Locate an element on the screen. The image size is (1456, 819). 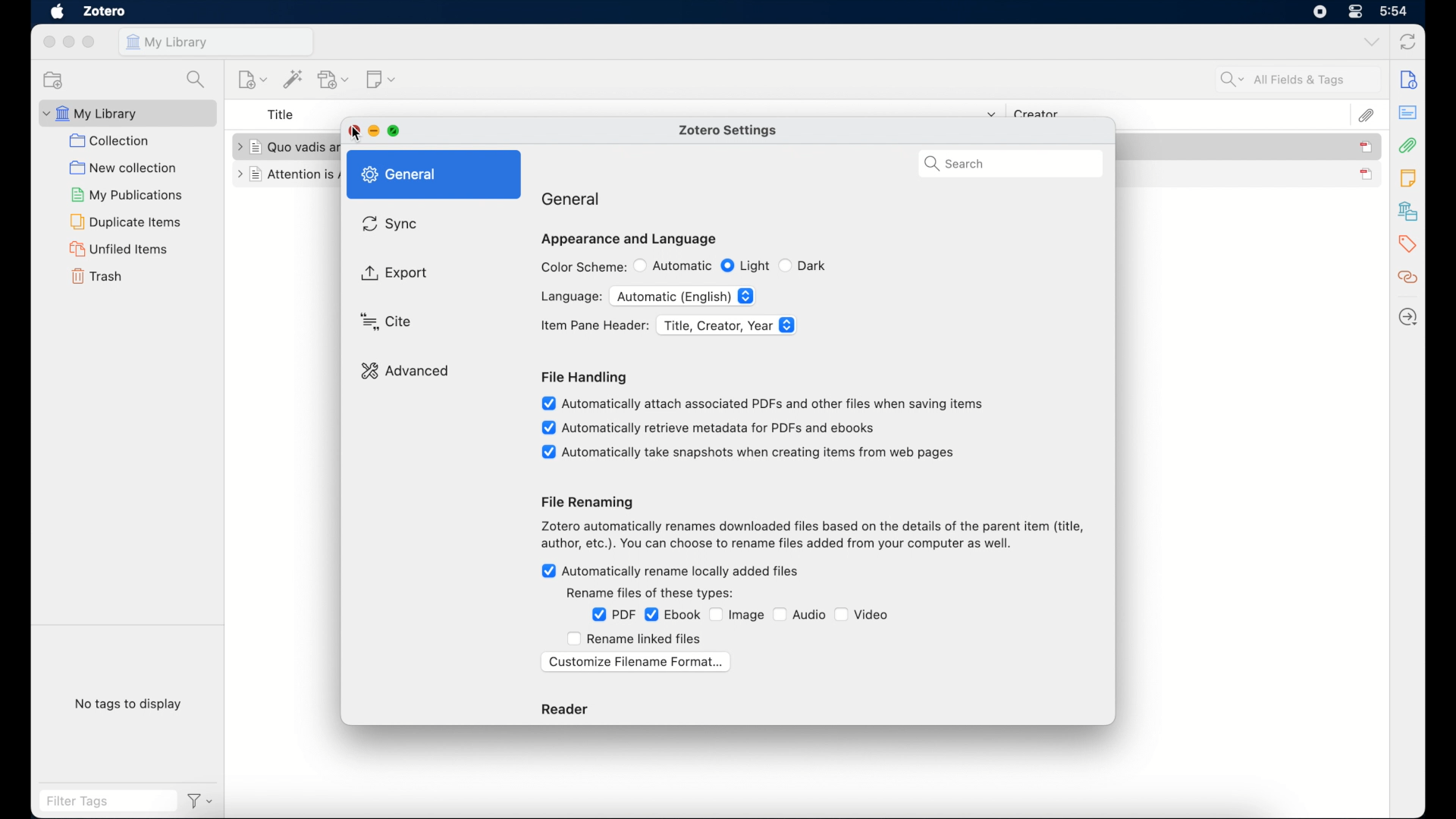
file handling is located at coordinates (584, 377).